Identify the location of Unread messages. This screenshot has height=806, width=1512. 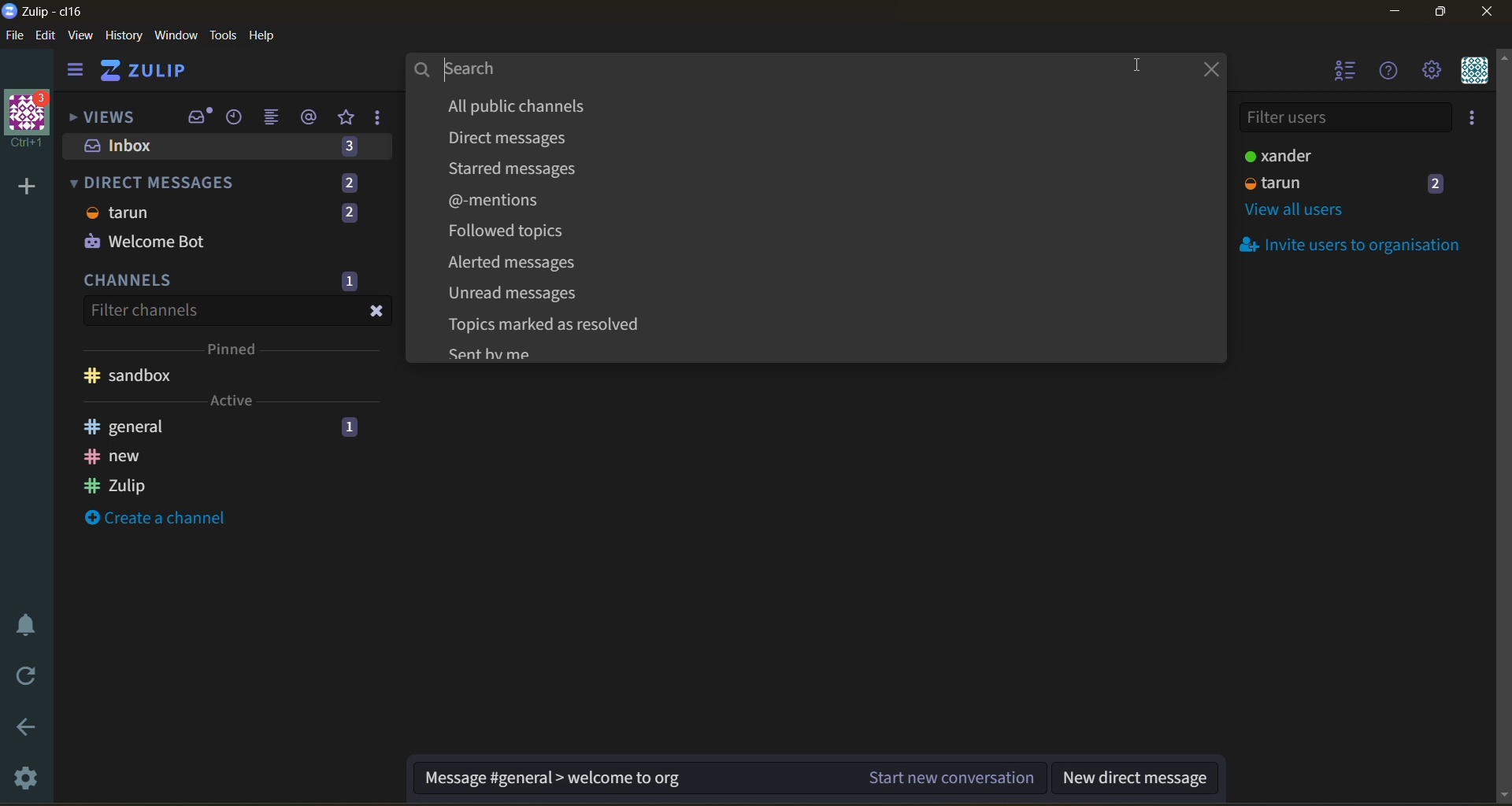
(505, 294).